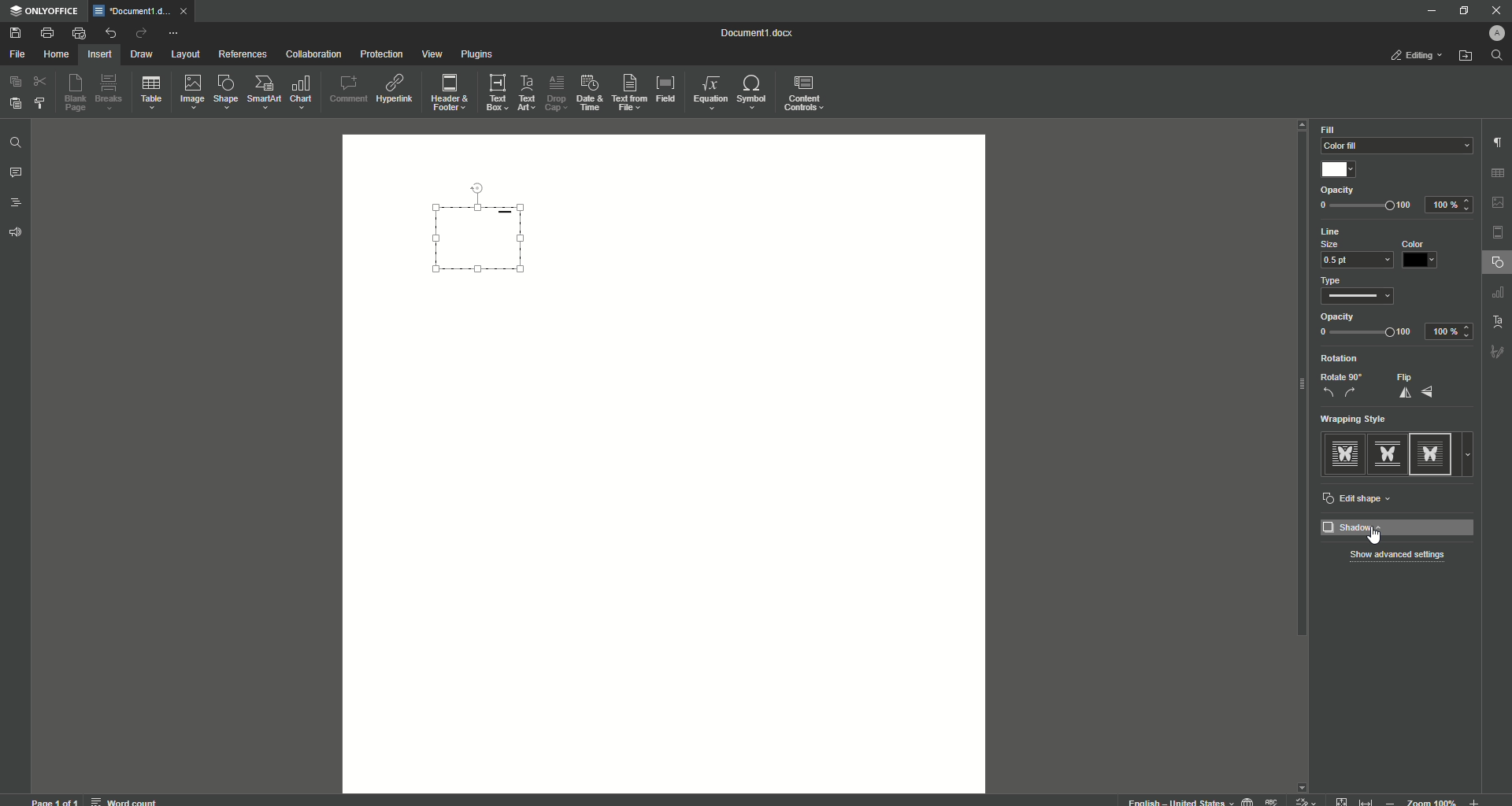 The height and width of the screenshot is (806, 1512). What do you see at coordinates (1418, 386) in the screenshot?
I see `Flip` at bounding box center [1418, 386].